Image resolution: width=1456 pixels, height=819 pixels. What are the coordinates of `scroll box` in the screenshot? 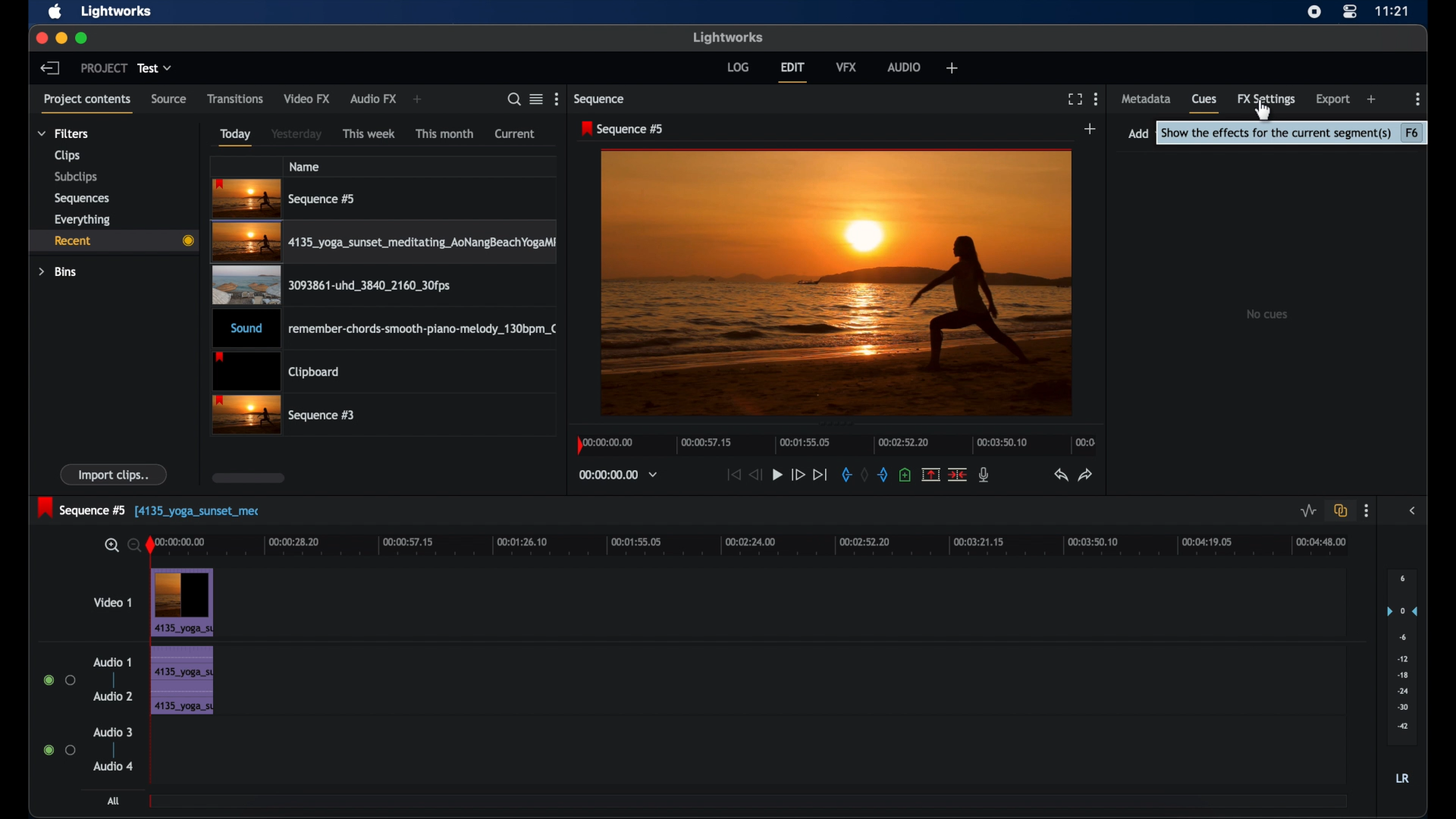 It's located at (249, 478).